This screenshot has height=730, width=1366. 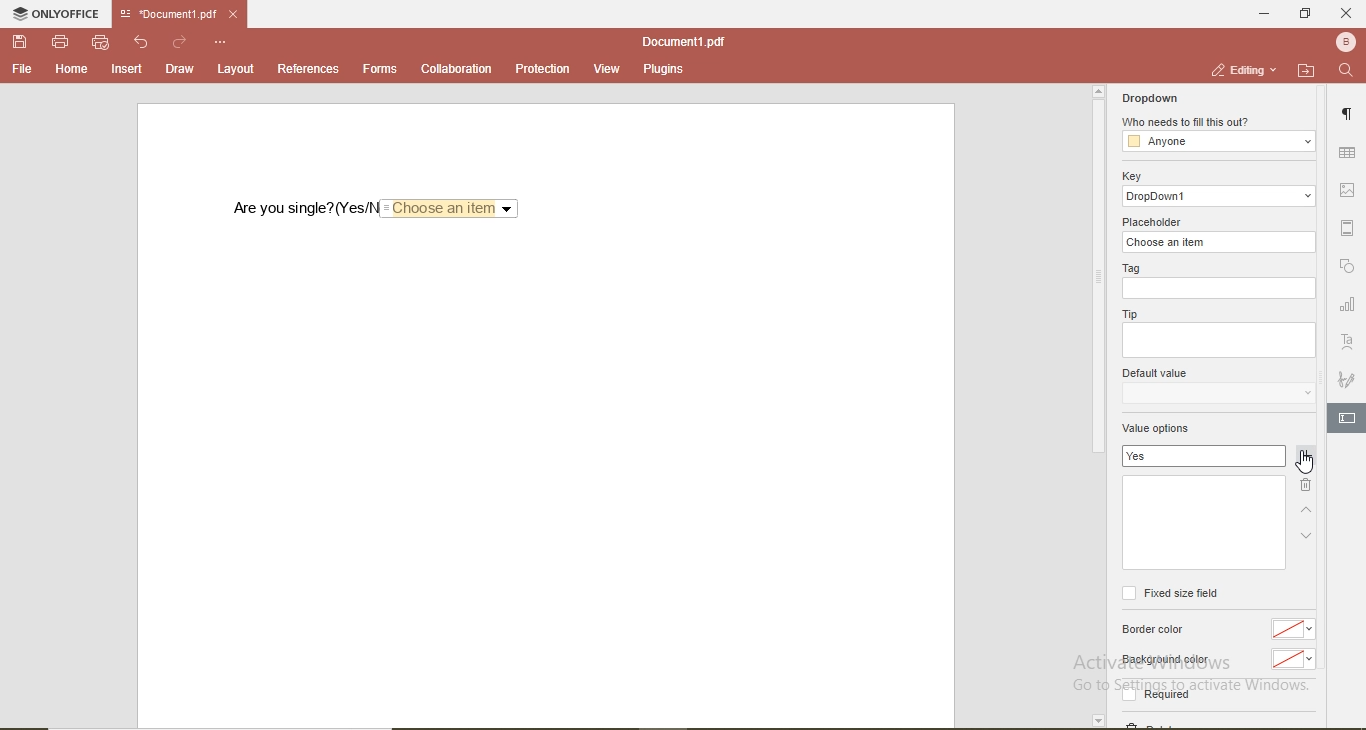 I want to click on default value, so click(x=1157, y=372).